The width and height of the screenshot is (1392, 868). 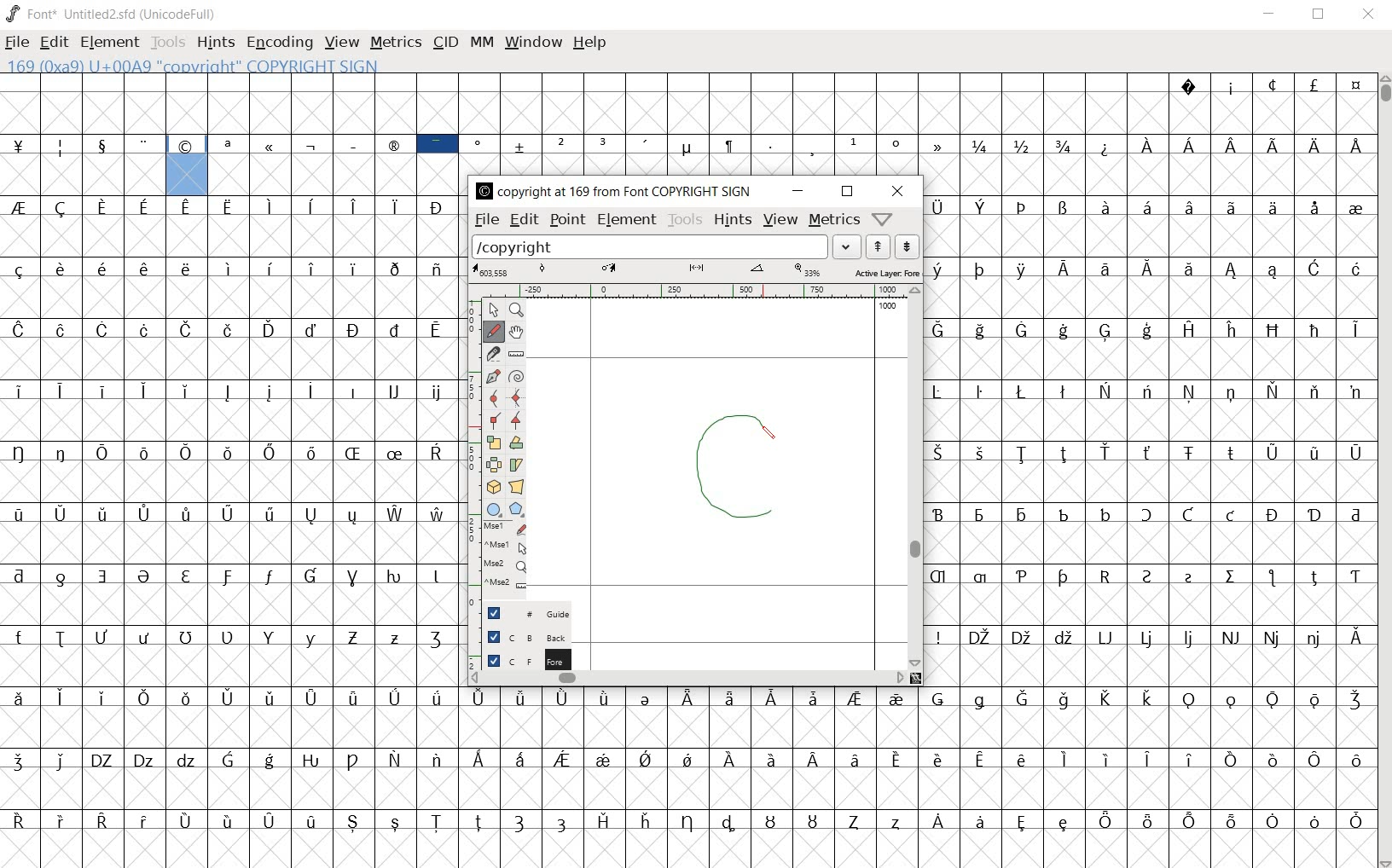 I want to click on view, so click(x=781, y=222).